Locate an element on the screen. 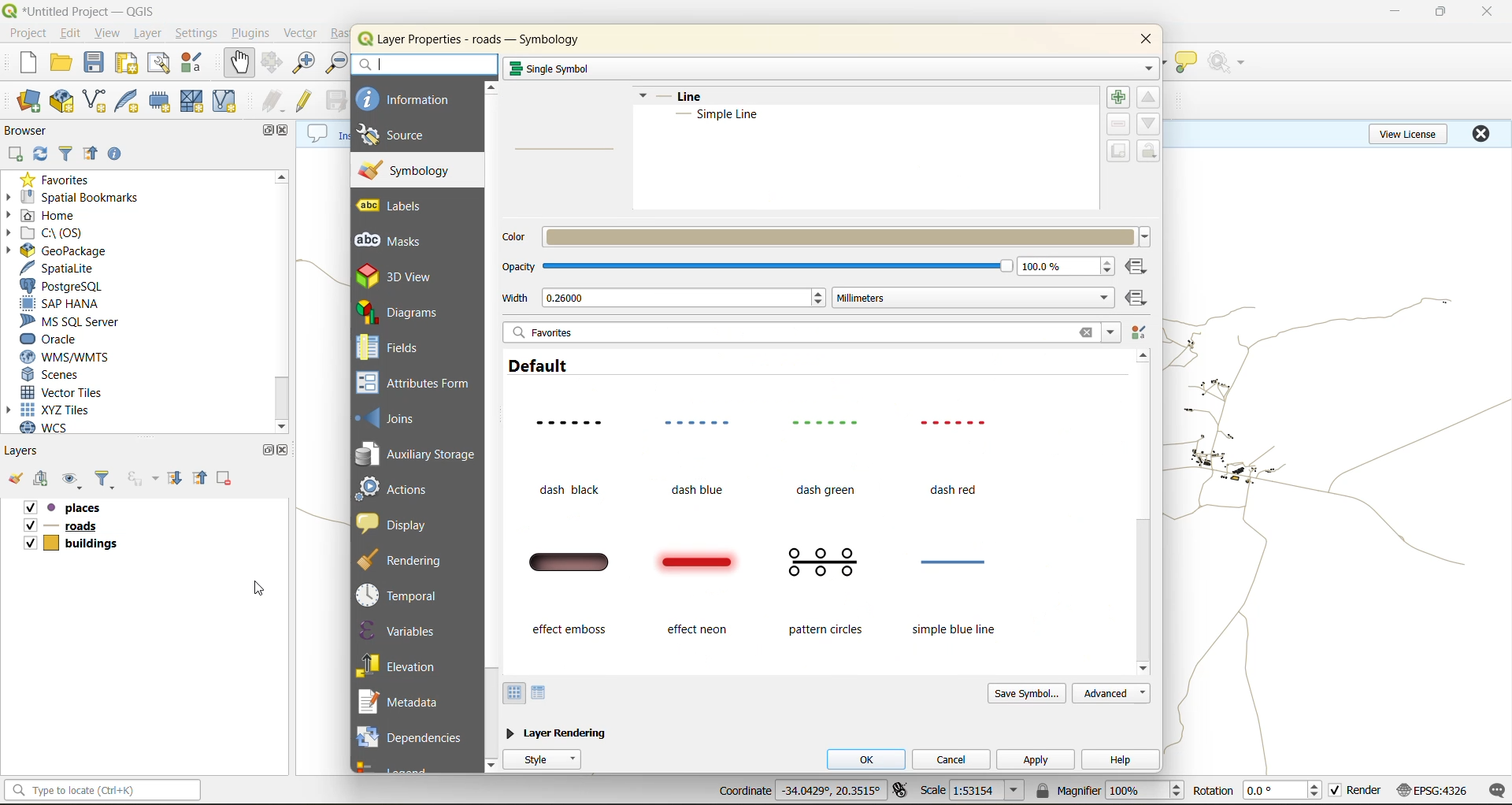 The width and height of the screenshot is (1512, 805). metadata is located at coordinates (402, 703).